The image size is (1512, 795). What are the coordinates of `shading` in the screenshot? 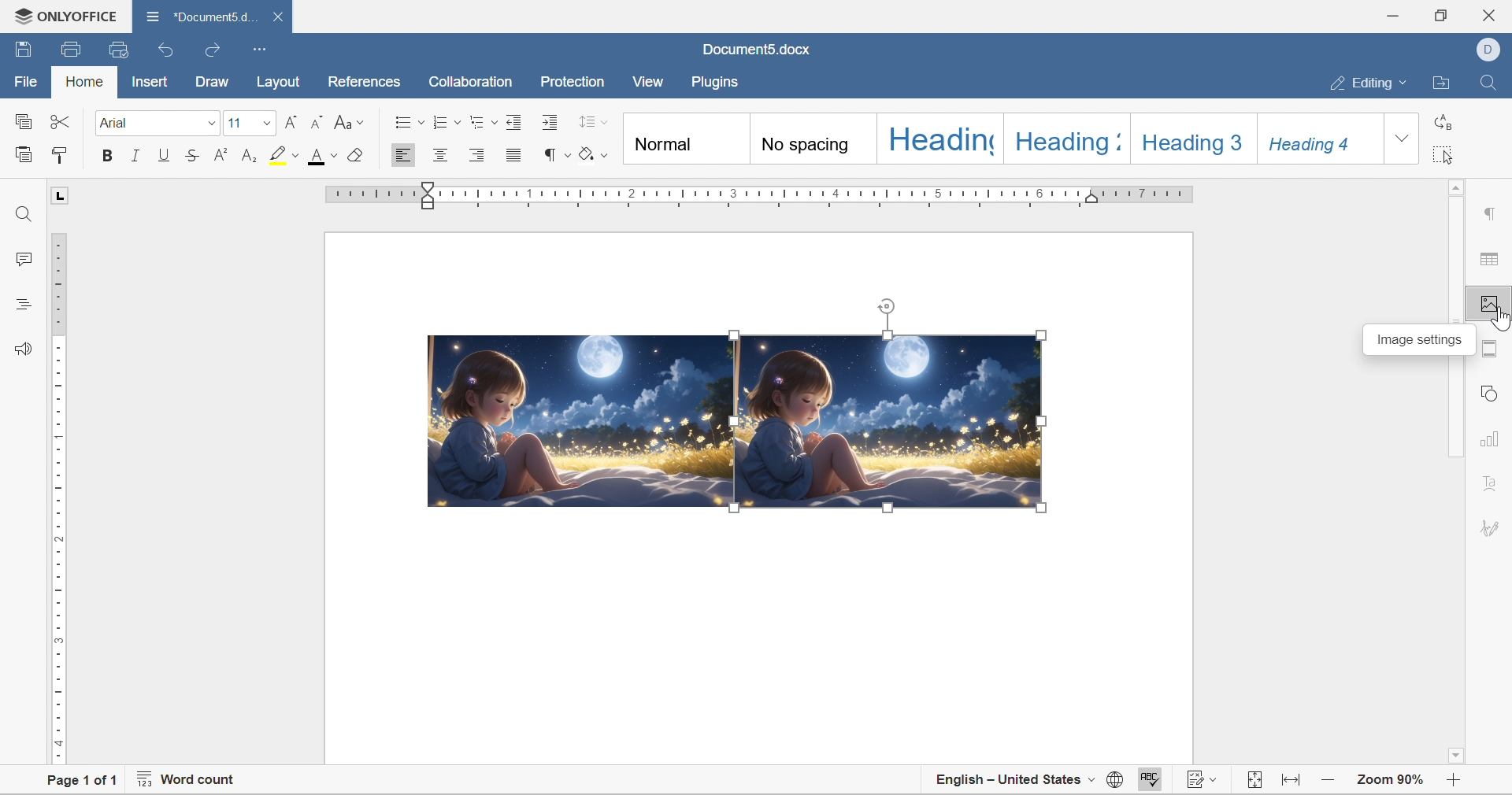 It's located at (594, 152).